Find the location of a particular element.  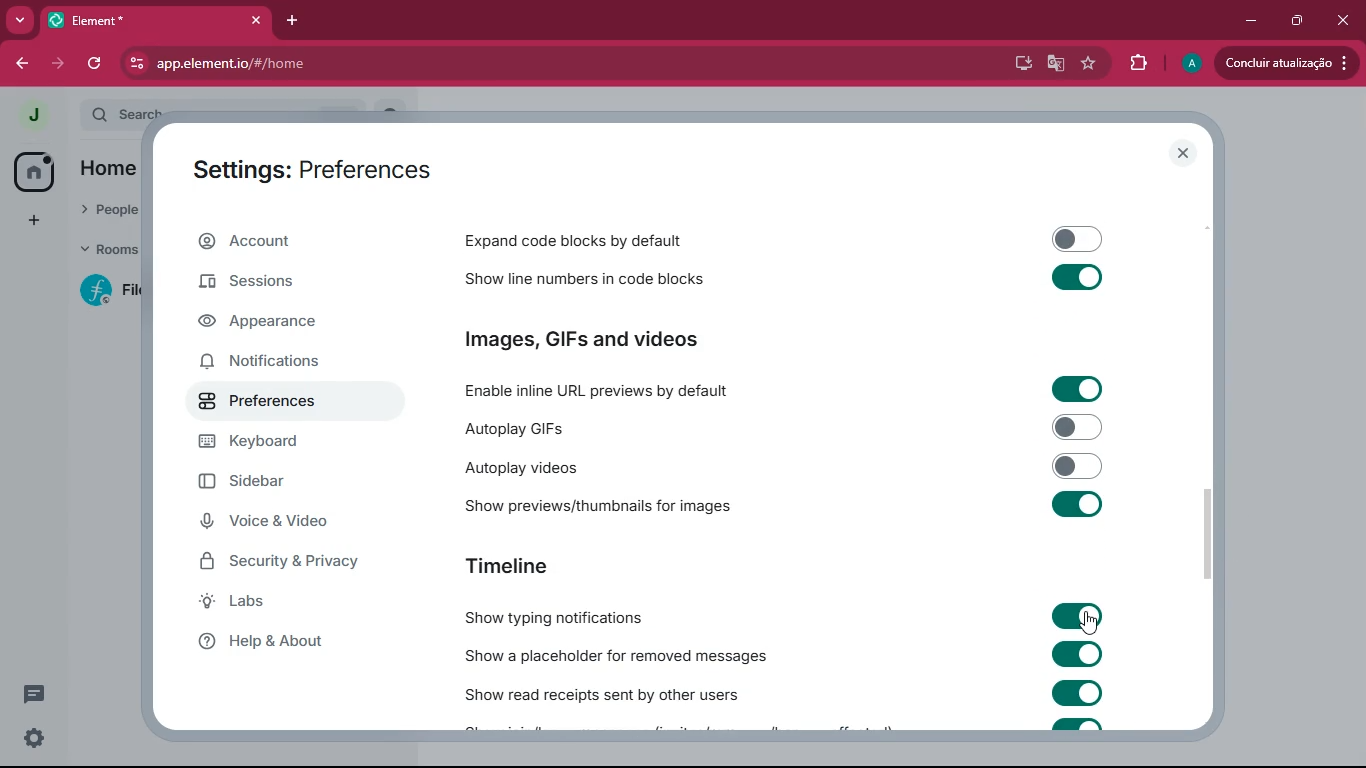

show previews/thumbnails for images is located at coordinates (605, 506).